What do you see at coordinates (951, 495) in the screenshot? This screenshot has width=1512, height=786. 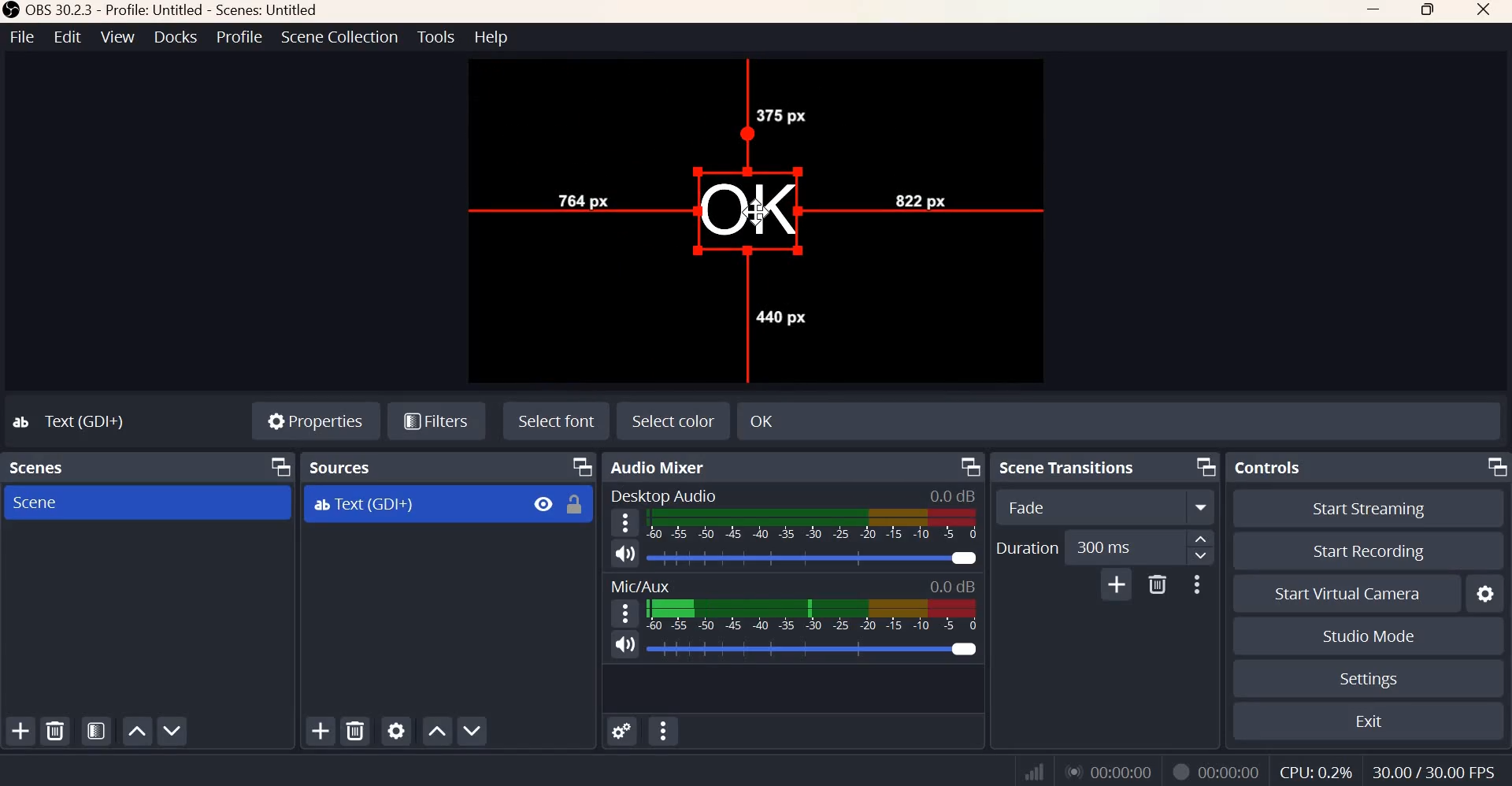 I see `Audio Level Indicator` at bounding box center [951, 495].